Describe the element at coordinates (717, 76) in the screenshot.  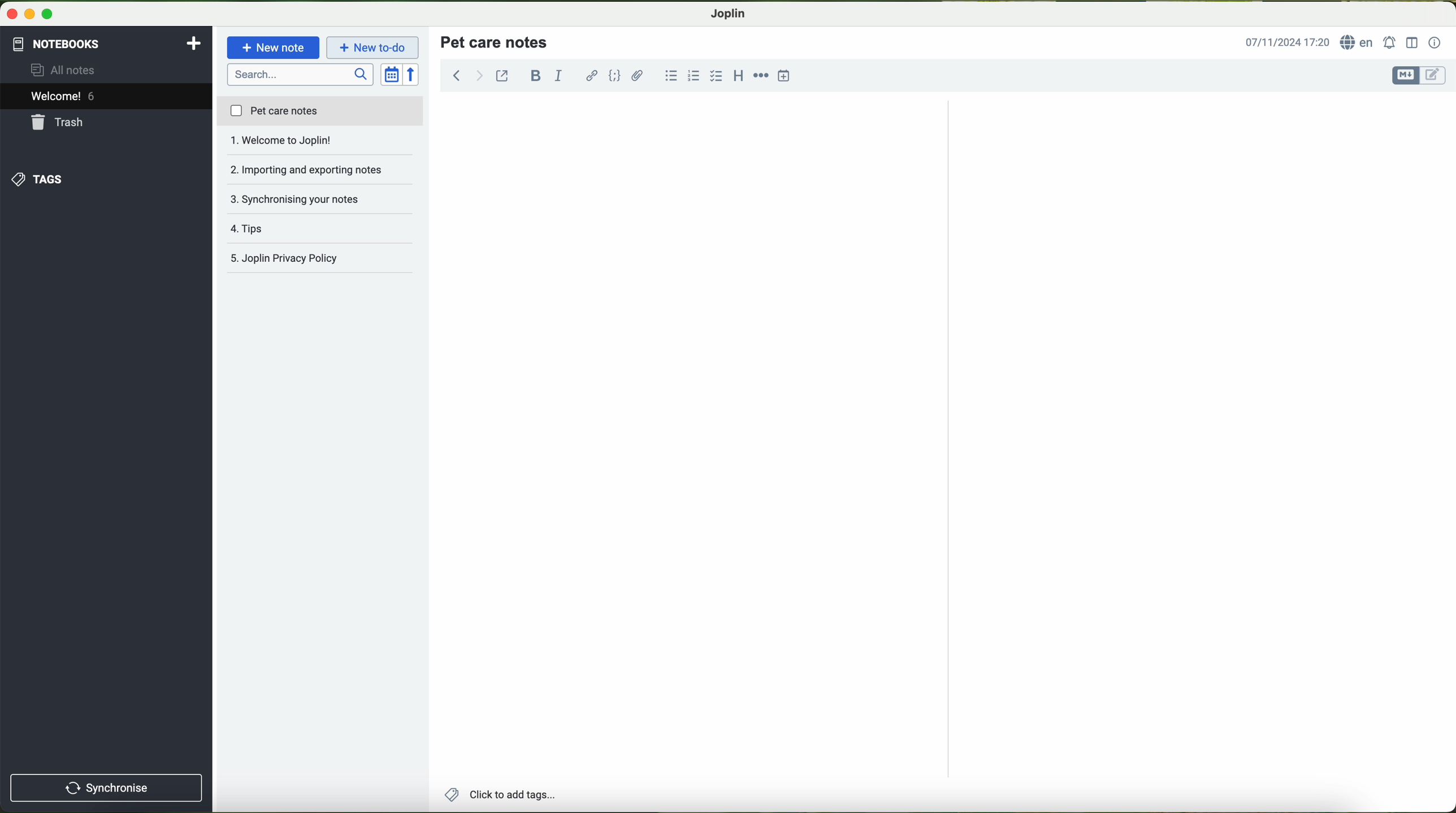
I see `checkbox` at that location.